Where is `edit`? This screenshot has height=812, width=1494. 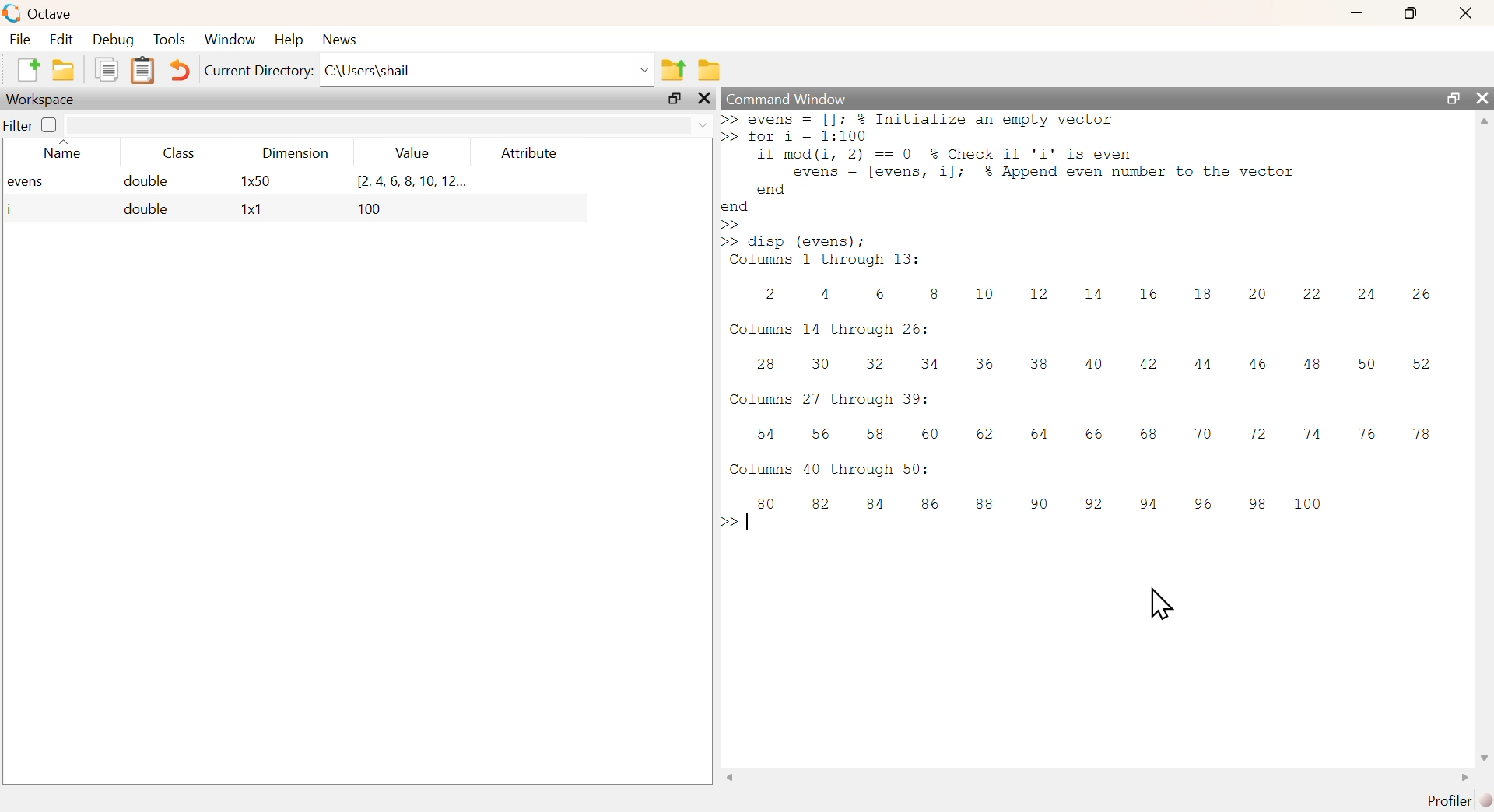
edit is located at coordinates (60, 40).